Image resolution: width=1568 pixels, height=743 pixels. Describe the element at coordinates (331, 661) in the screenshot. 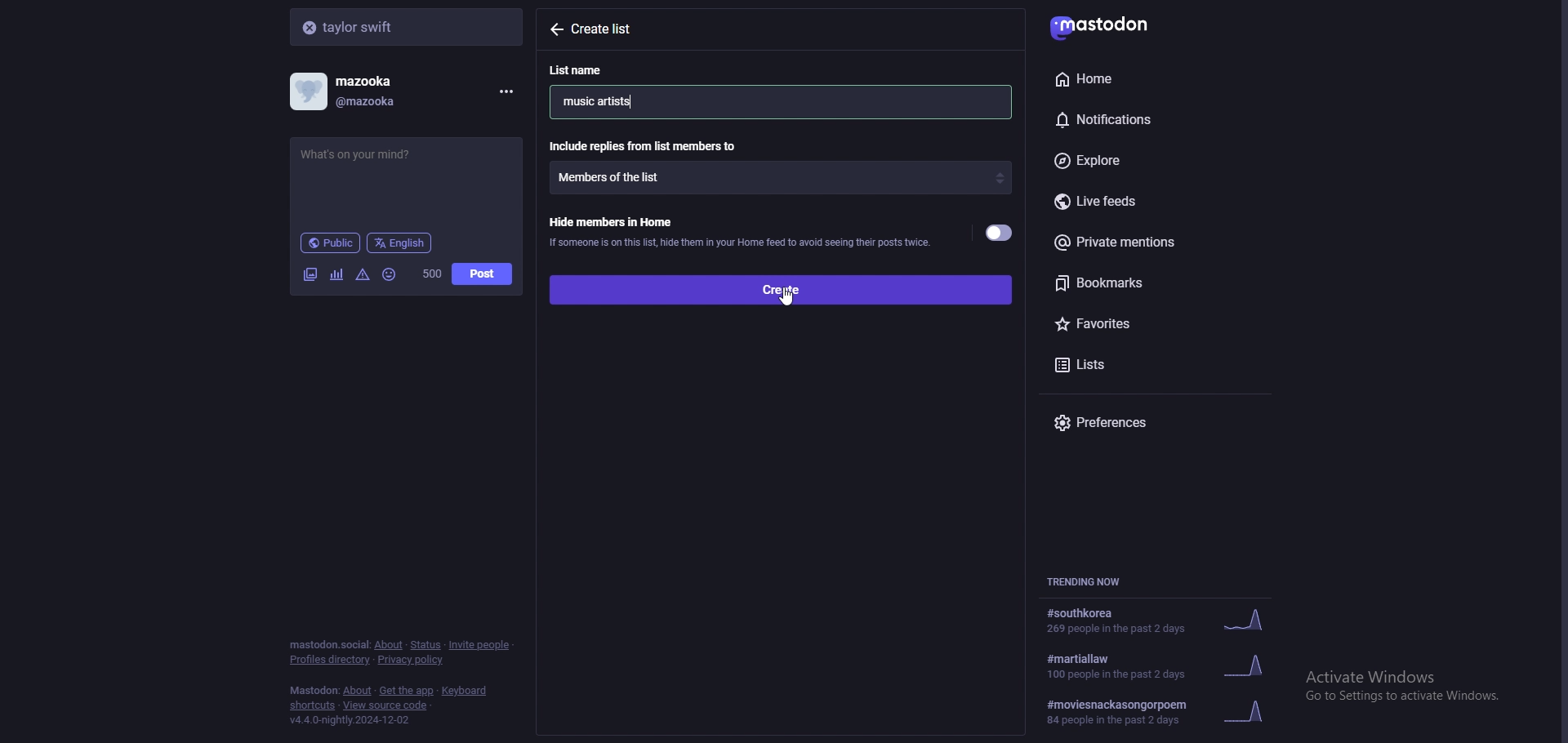

I see `profiles directory` at that location.